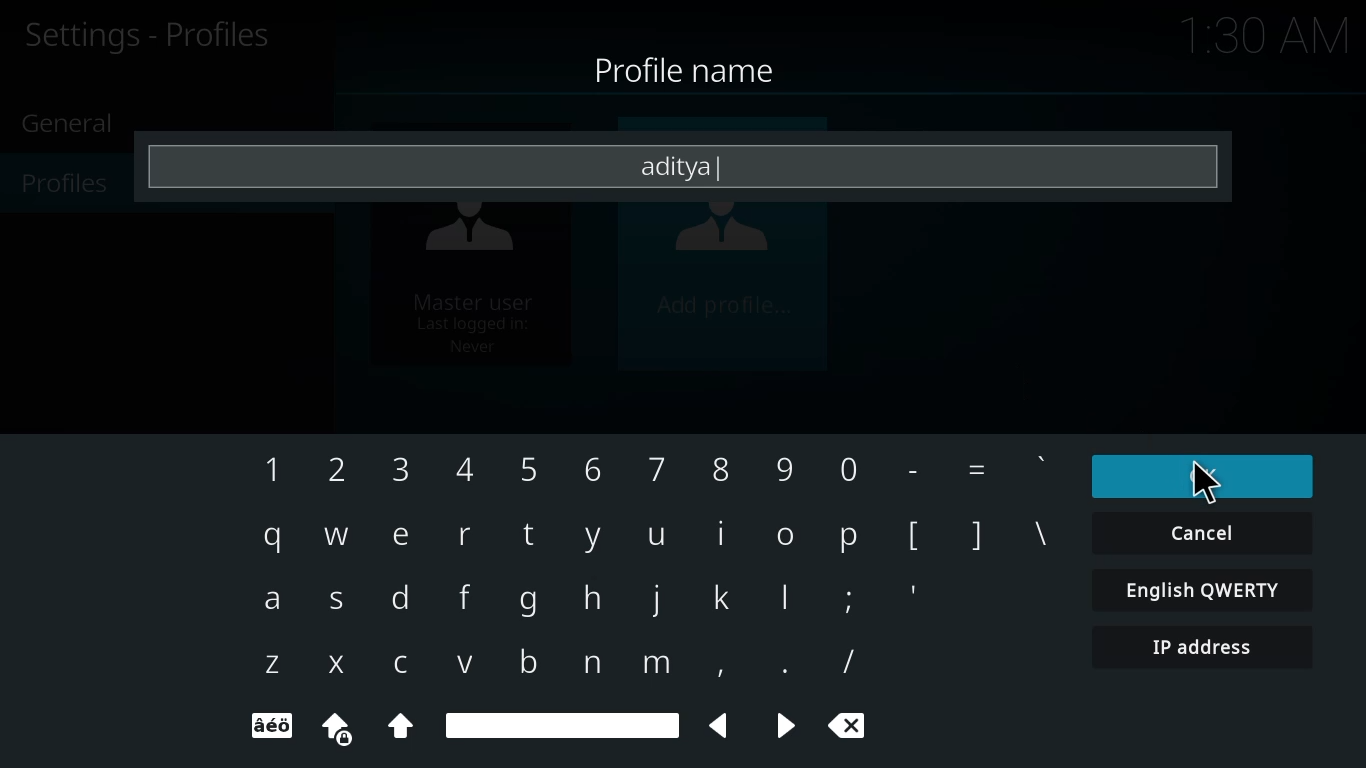 This screenshot has height=768, width=1366. Describe the element at coordinates (978, 470) in the screenshot. I see `=` at that location.